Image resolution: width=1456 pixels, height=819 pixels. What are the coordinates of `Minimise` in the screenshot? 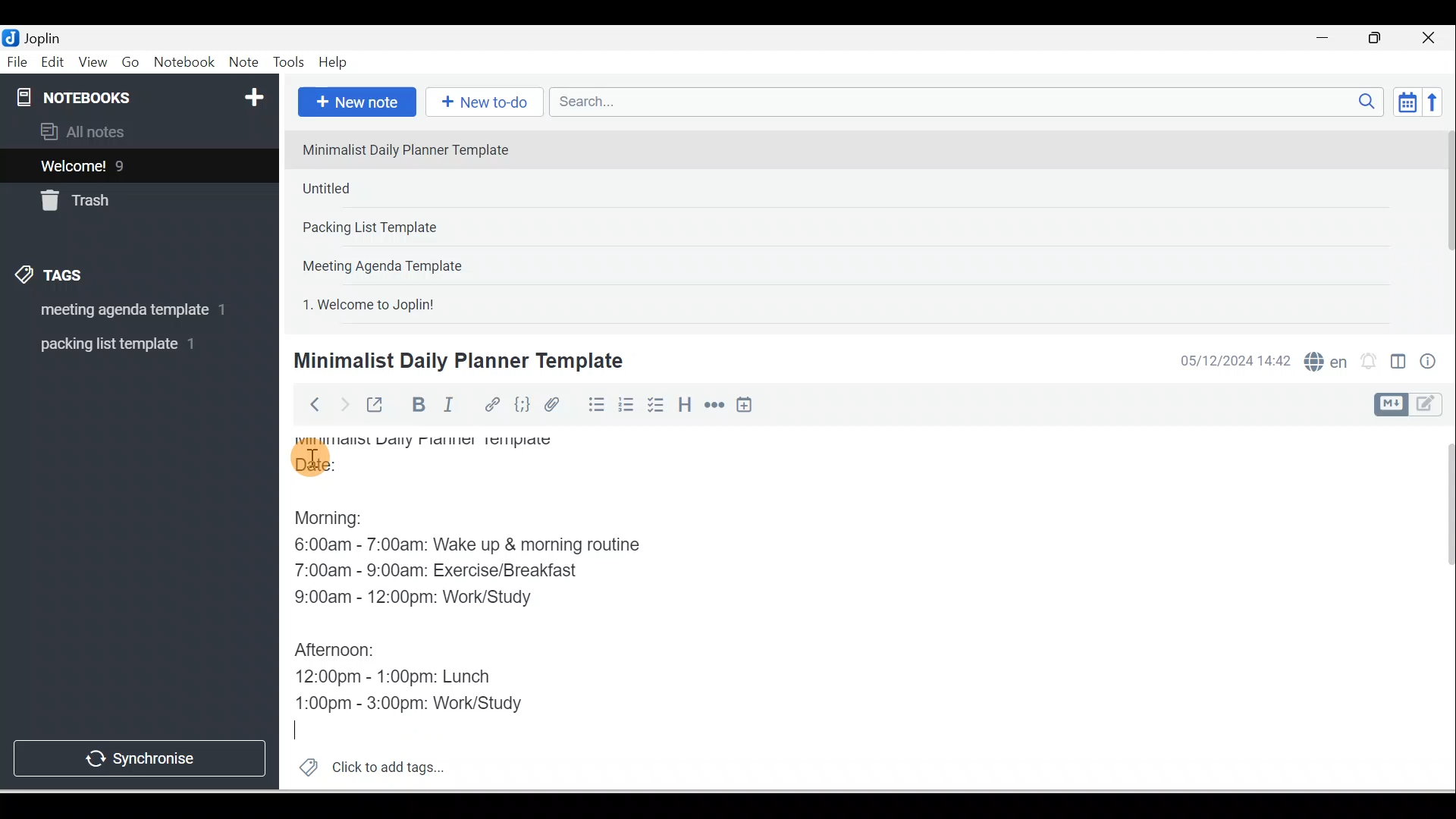 It's located at (1327, 39).